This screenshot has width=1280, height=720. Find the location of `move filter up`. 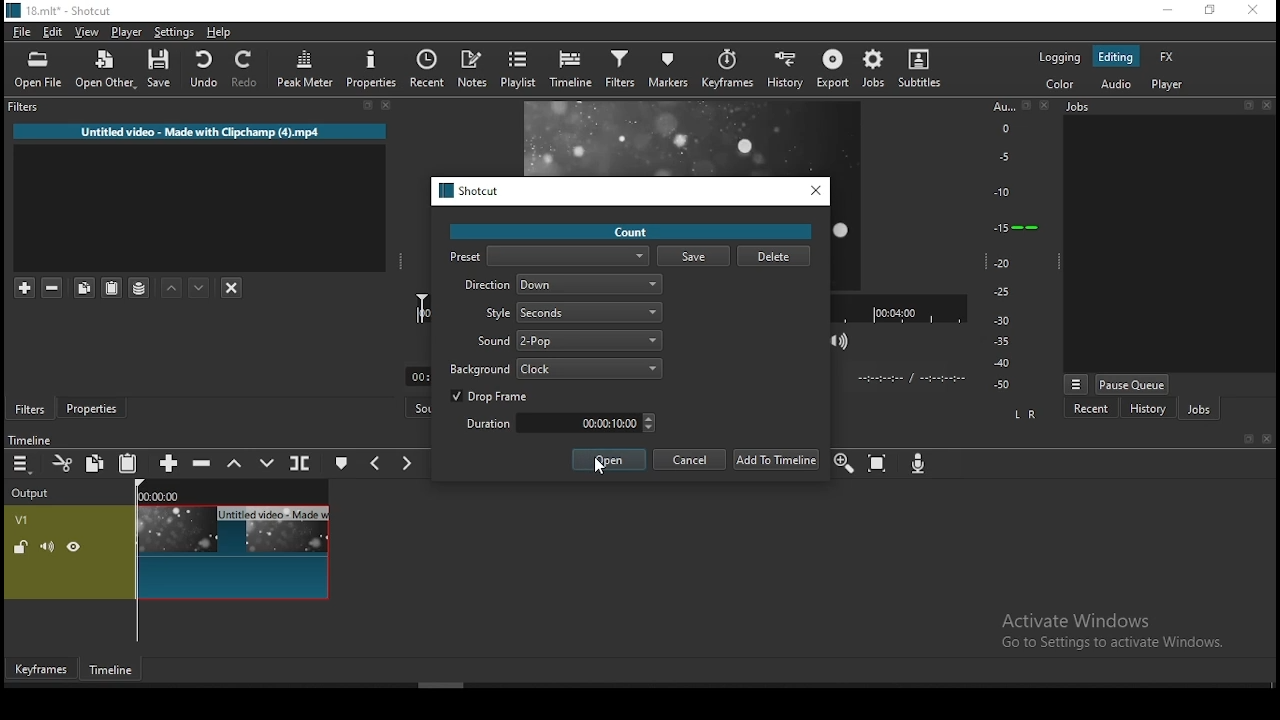

move filter up is located at coordinates (170, 285).